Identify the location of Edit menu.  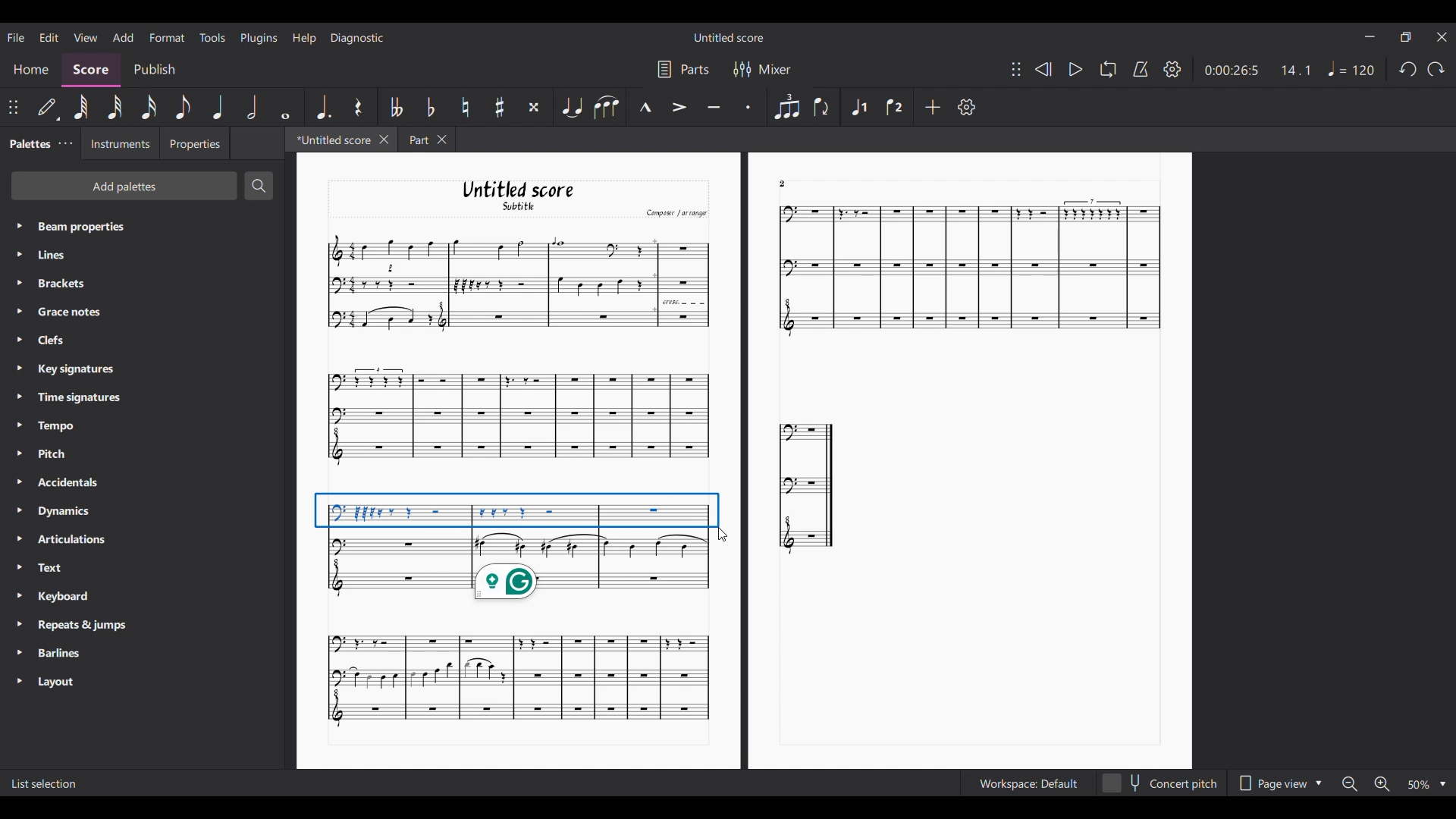
(49, 37).